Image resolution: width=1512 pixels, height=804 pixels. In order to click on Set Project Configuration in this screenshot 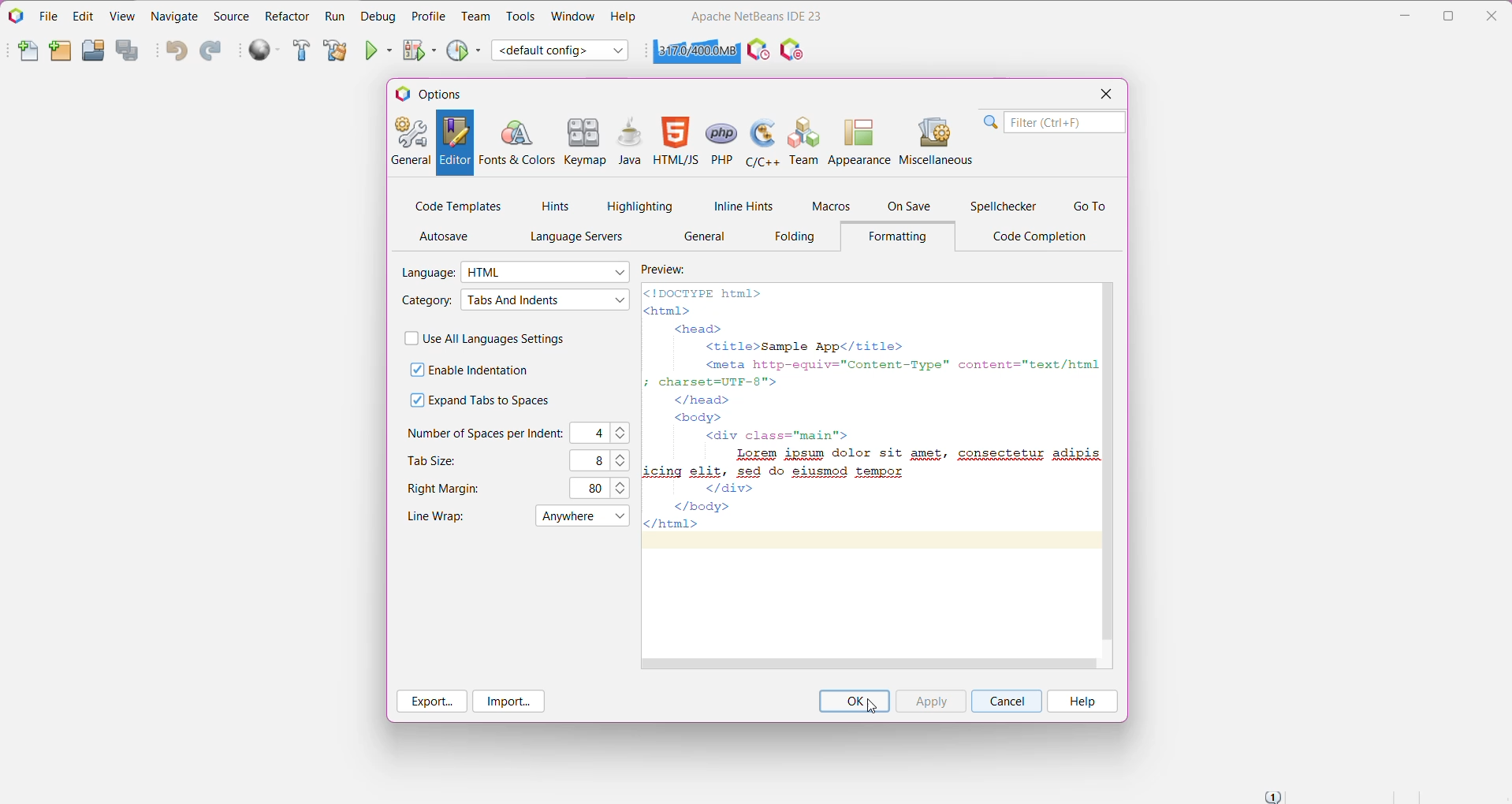, I will do `click(561, 50)`.